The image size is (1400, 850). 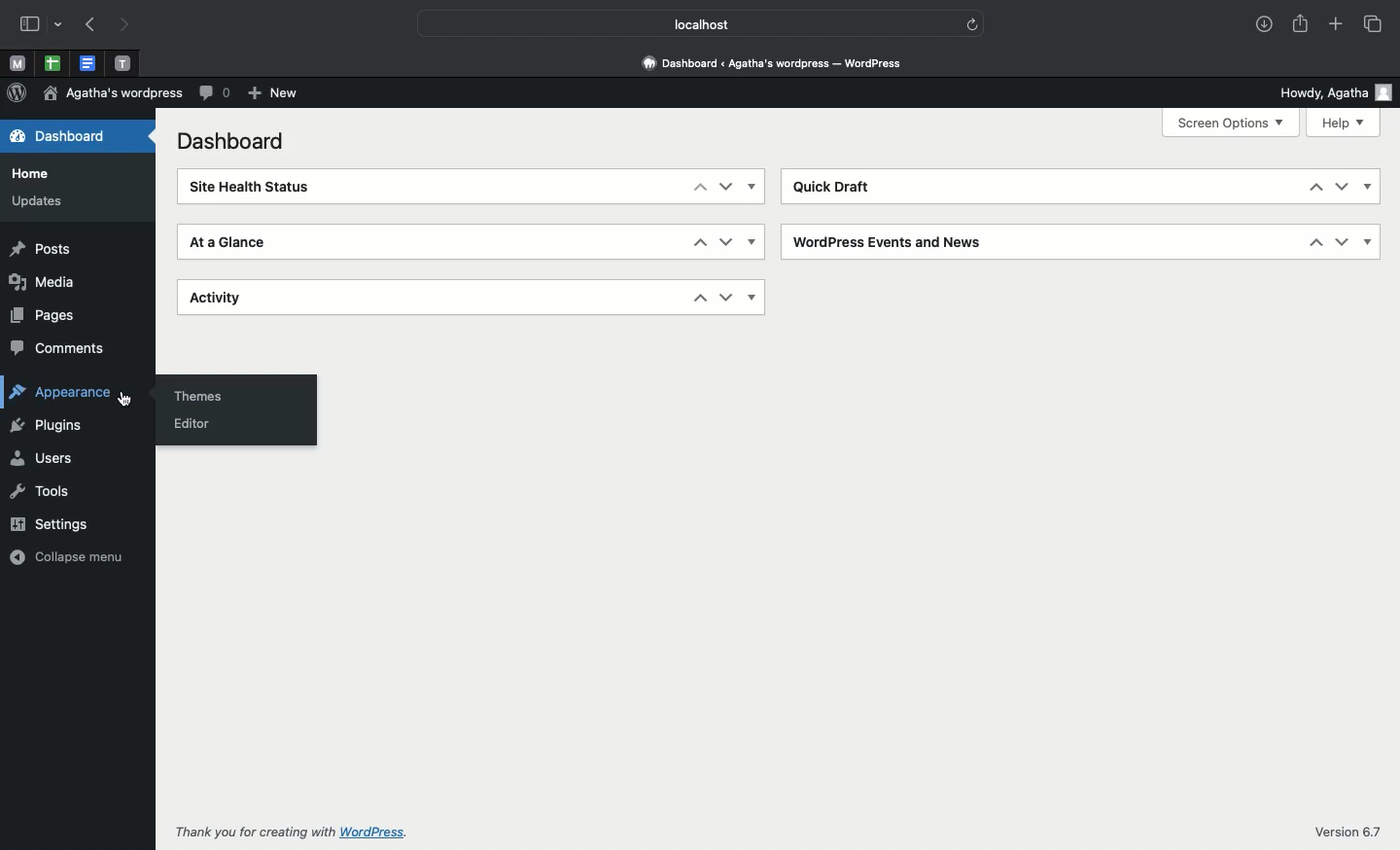 What do you see at coordinates (1340, 186) in the screenshot?
I see `Down` at bounding box center [1340, 186].